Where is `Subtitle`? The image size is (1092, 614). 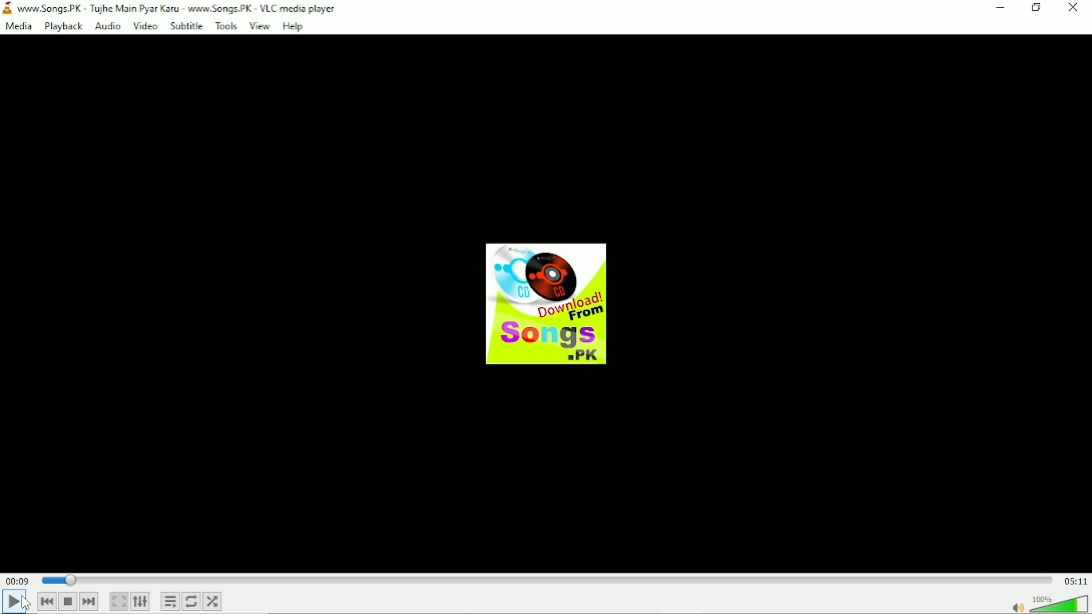 Subtitle is located at coordinates (186, 27).